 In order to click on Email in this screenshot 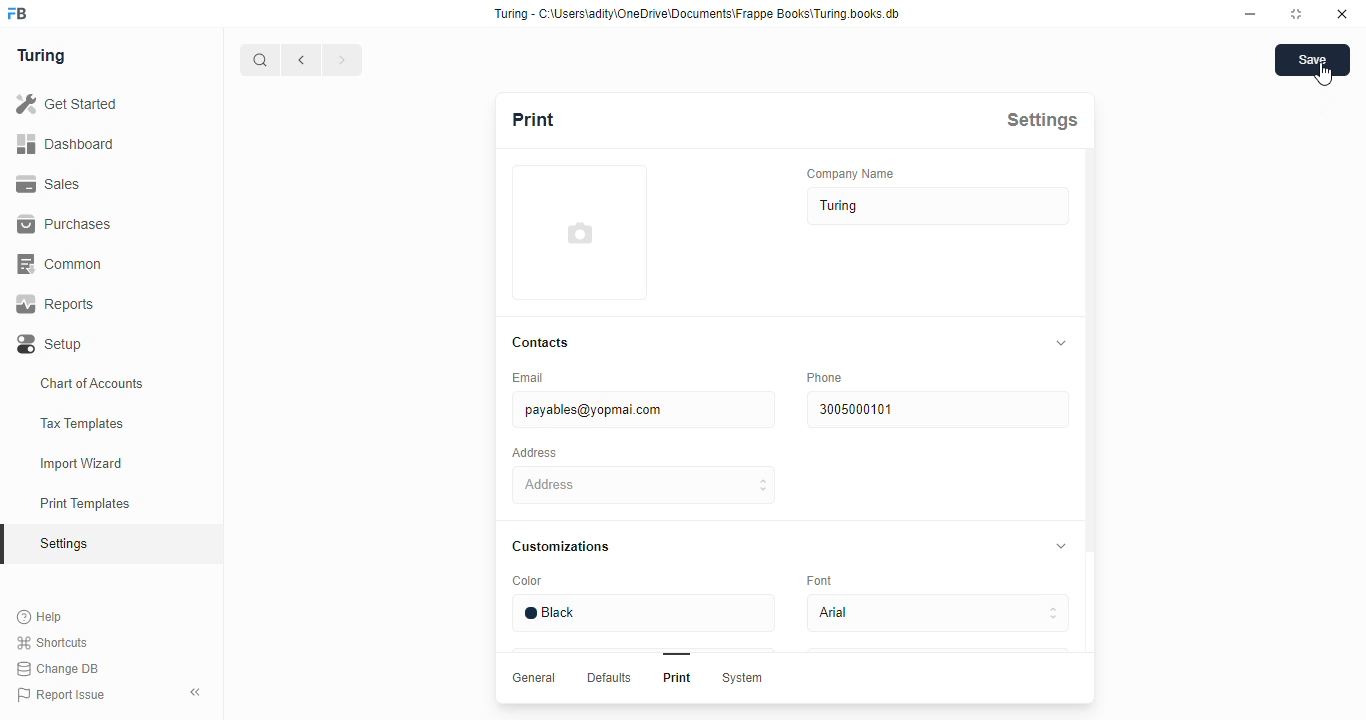, I will do `click(542, 378)`.